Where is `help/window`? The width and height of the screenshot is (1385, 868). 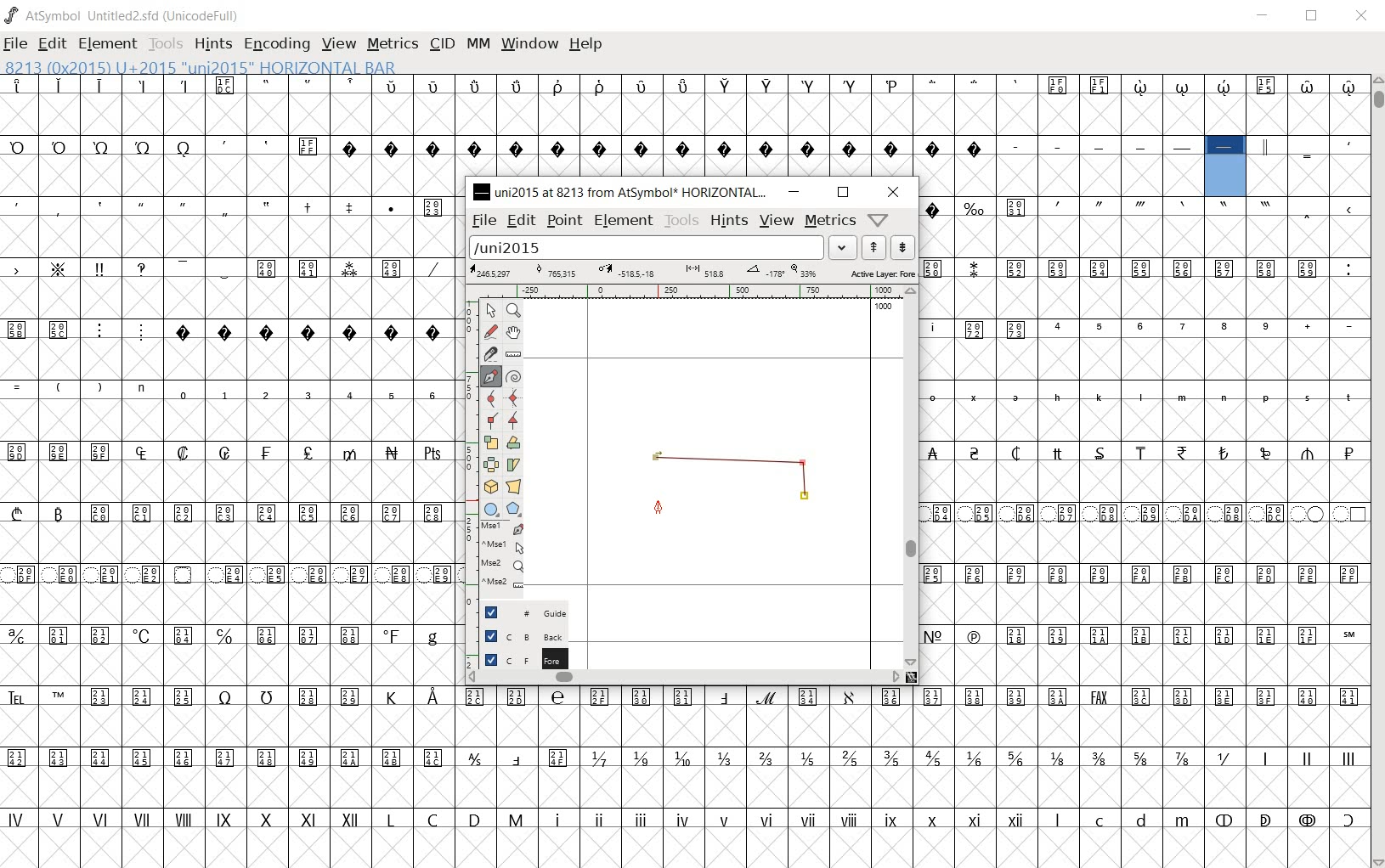
help/window is located at coordinates (877, 220).